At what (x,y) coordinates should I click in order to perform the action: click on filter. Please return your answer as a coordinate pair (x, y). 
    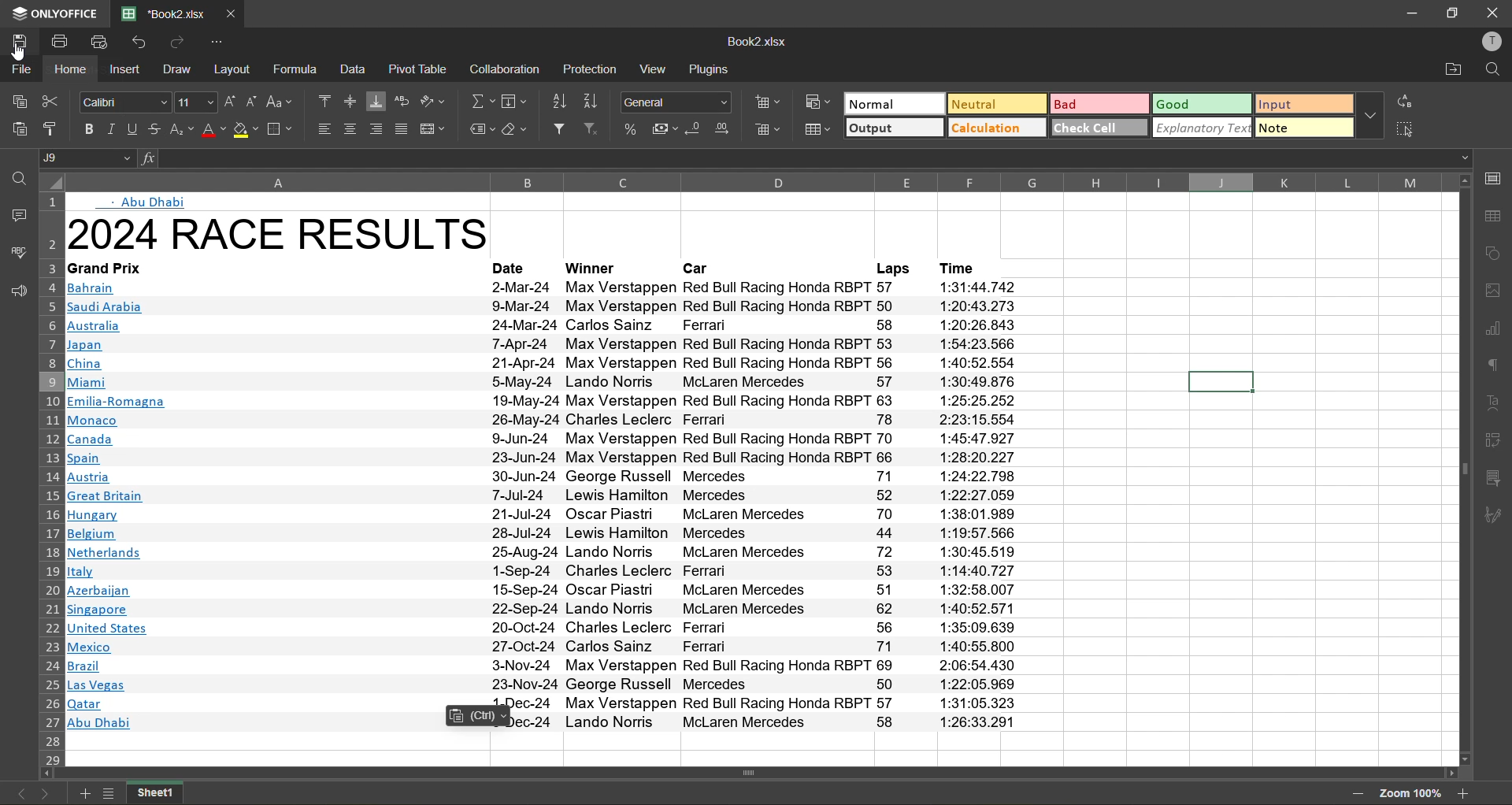
    Looking at the image, I should click on (556, 129).